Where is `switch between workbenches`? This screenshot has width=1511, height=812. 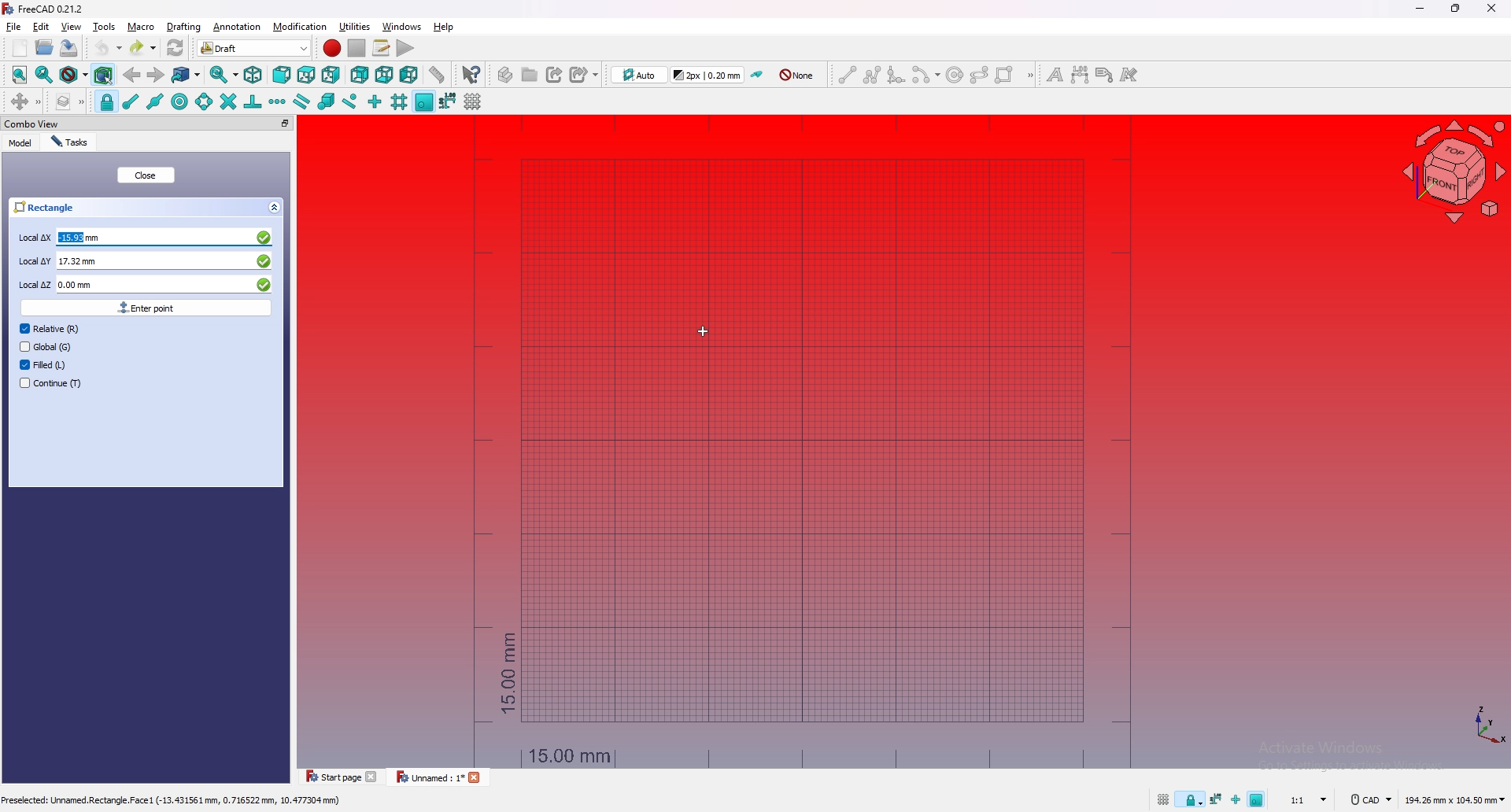
switch between workbenches is located at coordinates (279, 47).